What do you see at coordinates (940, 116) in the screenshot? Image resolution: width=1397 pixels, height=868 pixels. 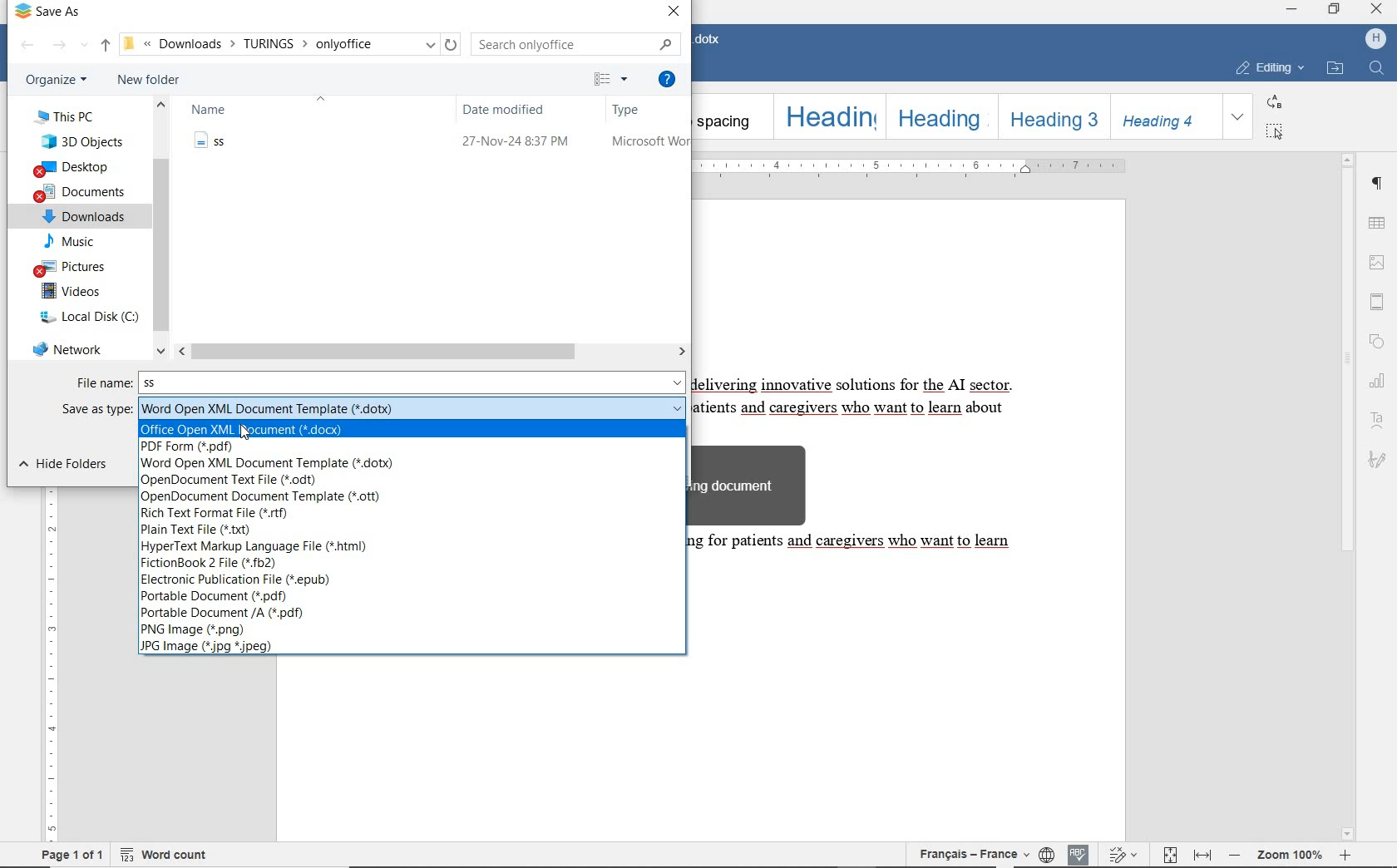 I see `HEADING 2` at bounding box center [940, 116].